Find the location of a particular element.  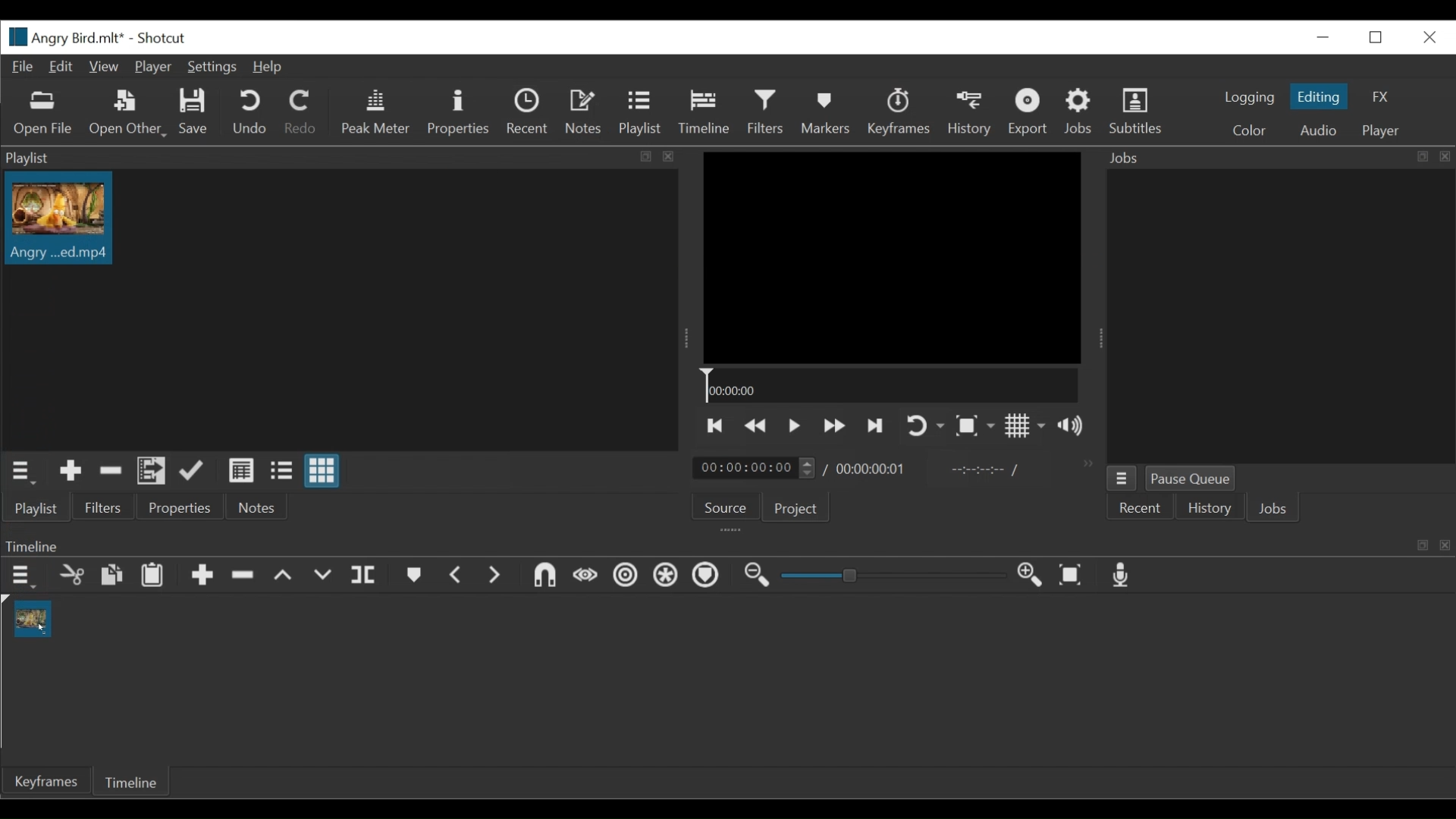

Skip to the previous point is located at coordinates (715, 425).